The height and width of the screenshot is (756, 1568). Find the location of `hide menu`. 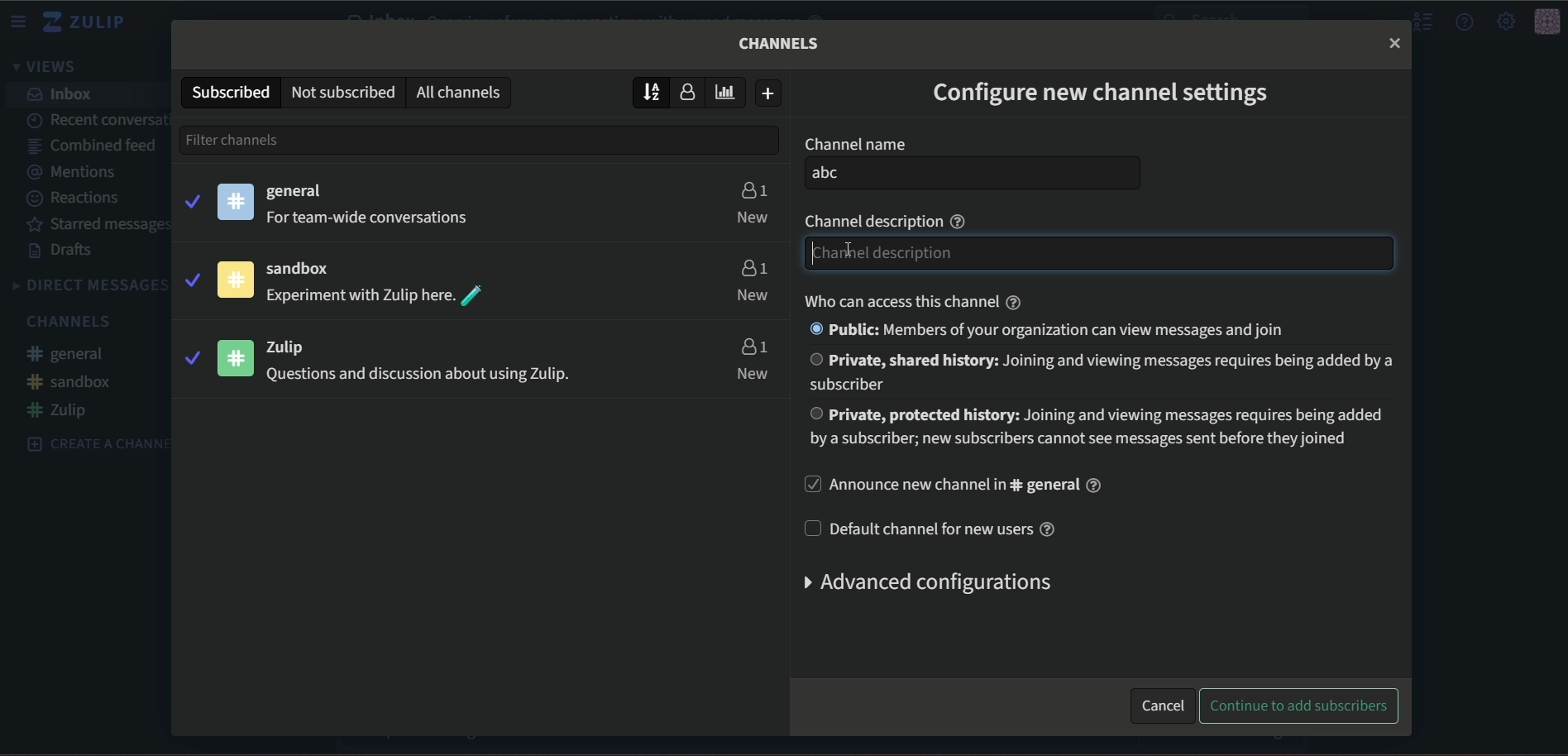

hide menu is located at coordinates (1421, 22).